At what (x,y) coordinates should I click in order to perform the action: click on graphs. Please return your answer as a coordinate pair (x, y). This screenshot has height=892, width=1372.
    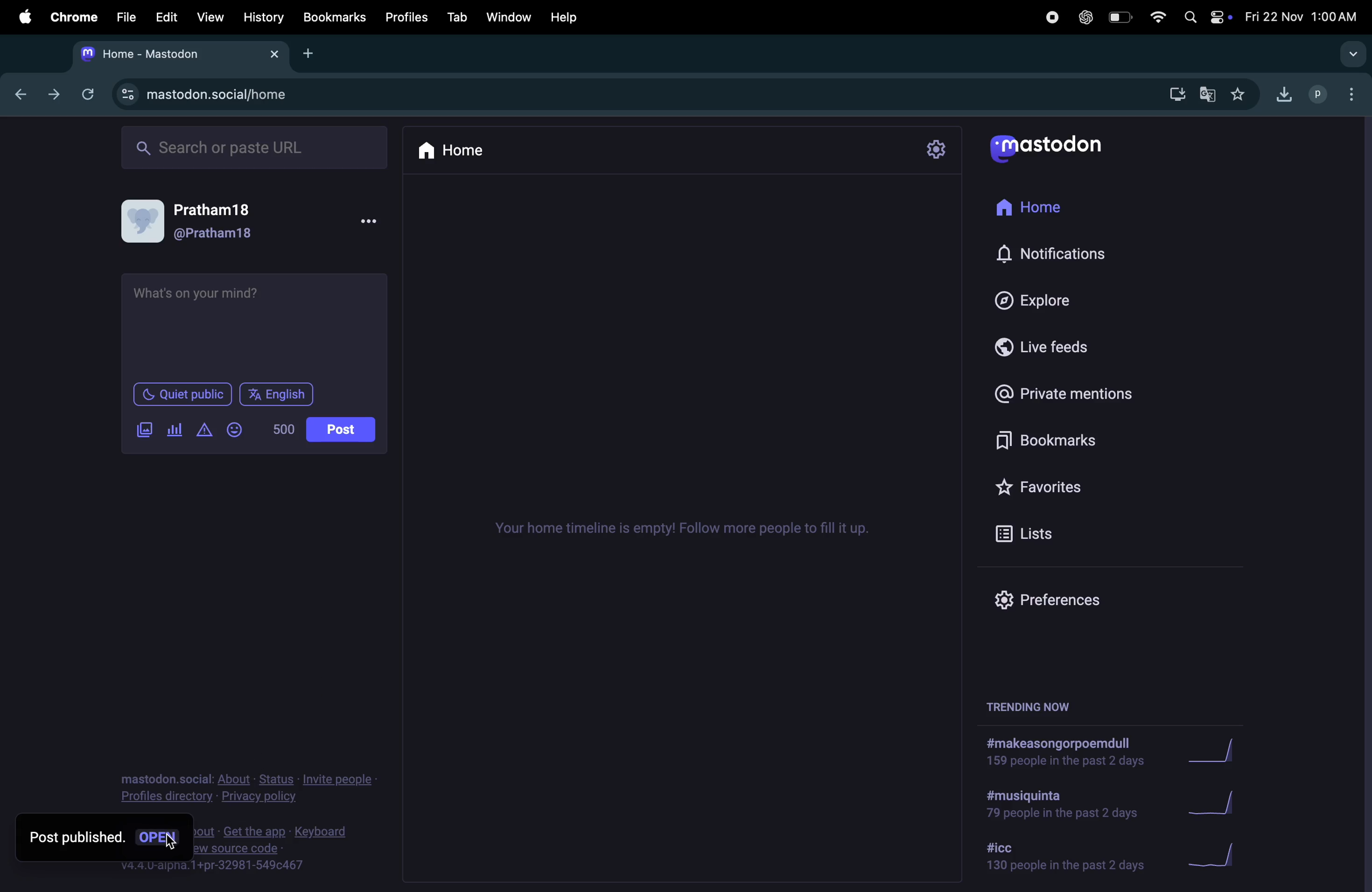
    Looking at the image, I should click on (1213, 852).